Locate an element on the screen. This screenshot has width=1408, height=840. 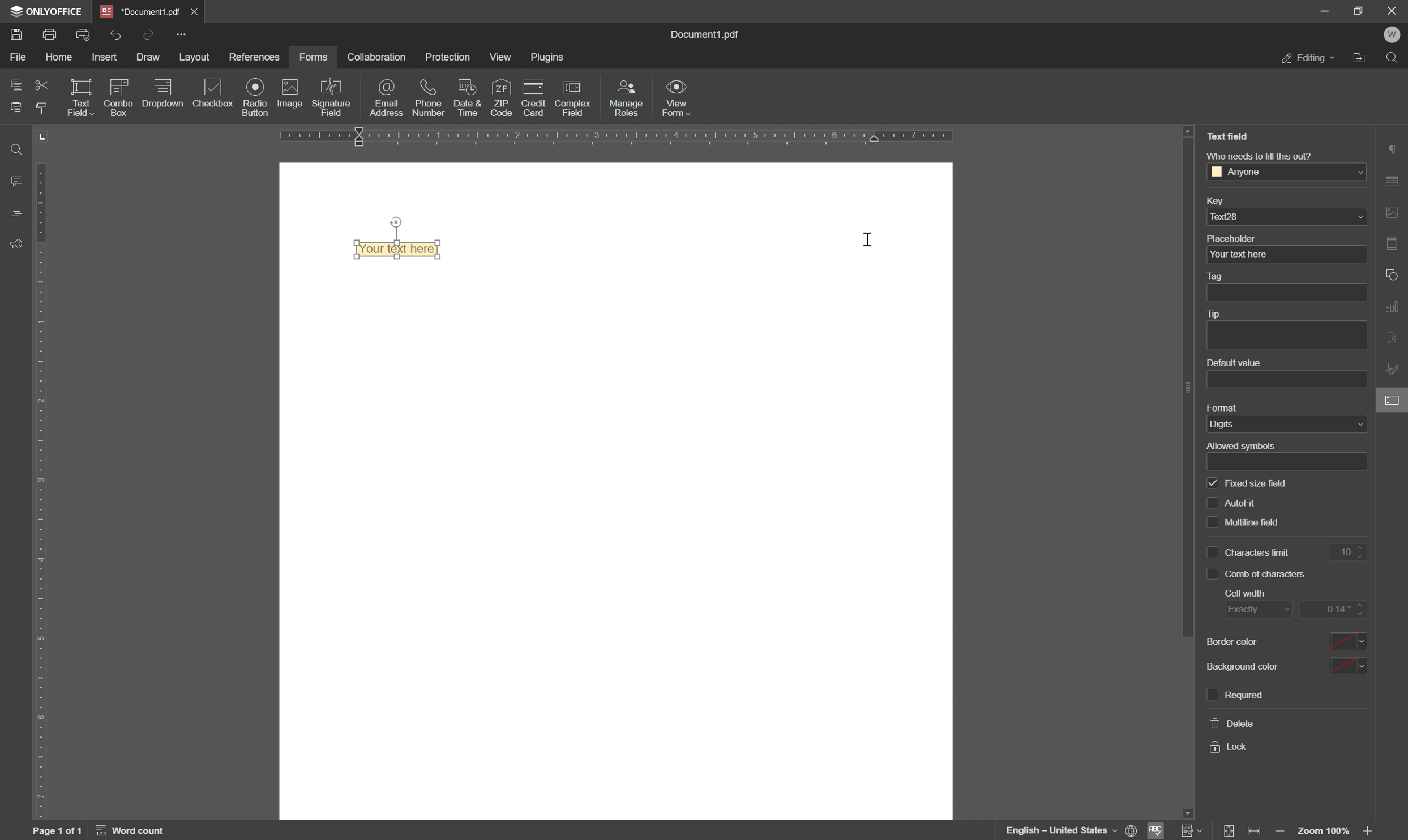
view is located at coordinates (502, 58).